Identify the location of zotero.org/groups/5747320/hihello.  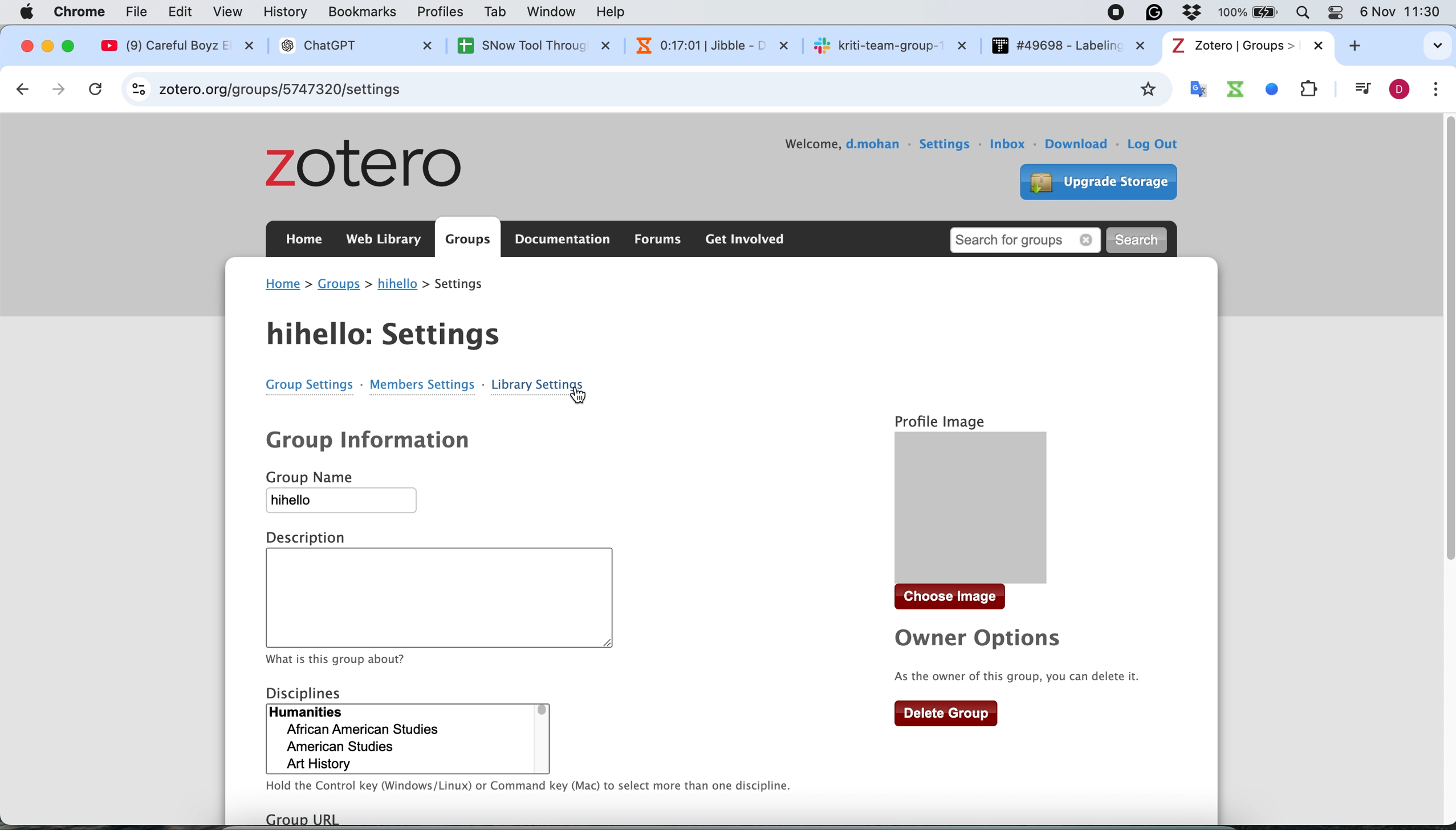
(320, 90).